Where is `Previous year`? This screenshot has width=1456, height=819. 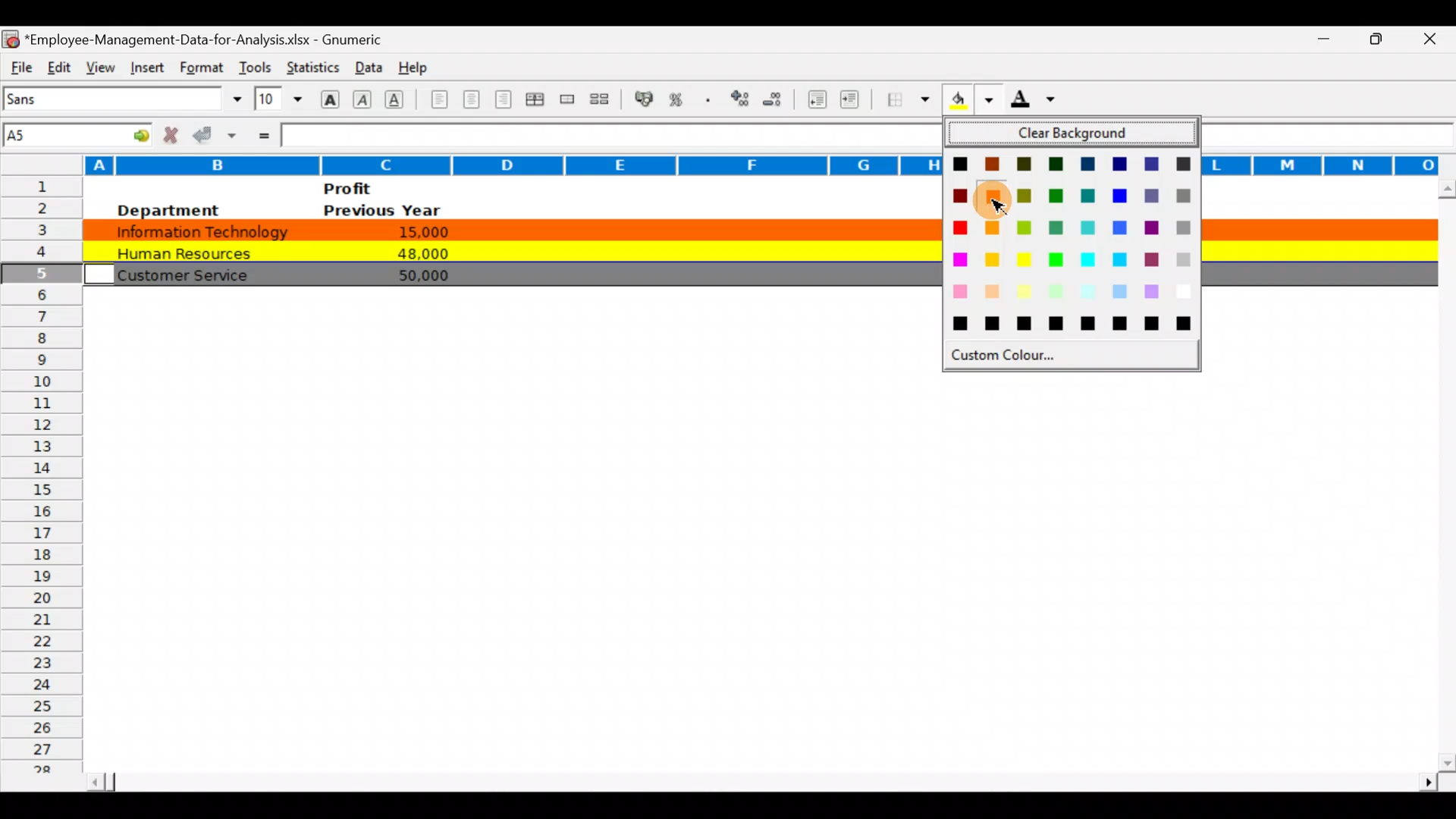
Previous year is located at coordinates (382, 211).